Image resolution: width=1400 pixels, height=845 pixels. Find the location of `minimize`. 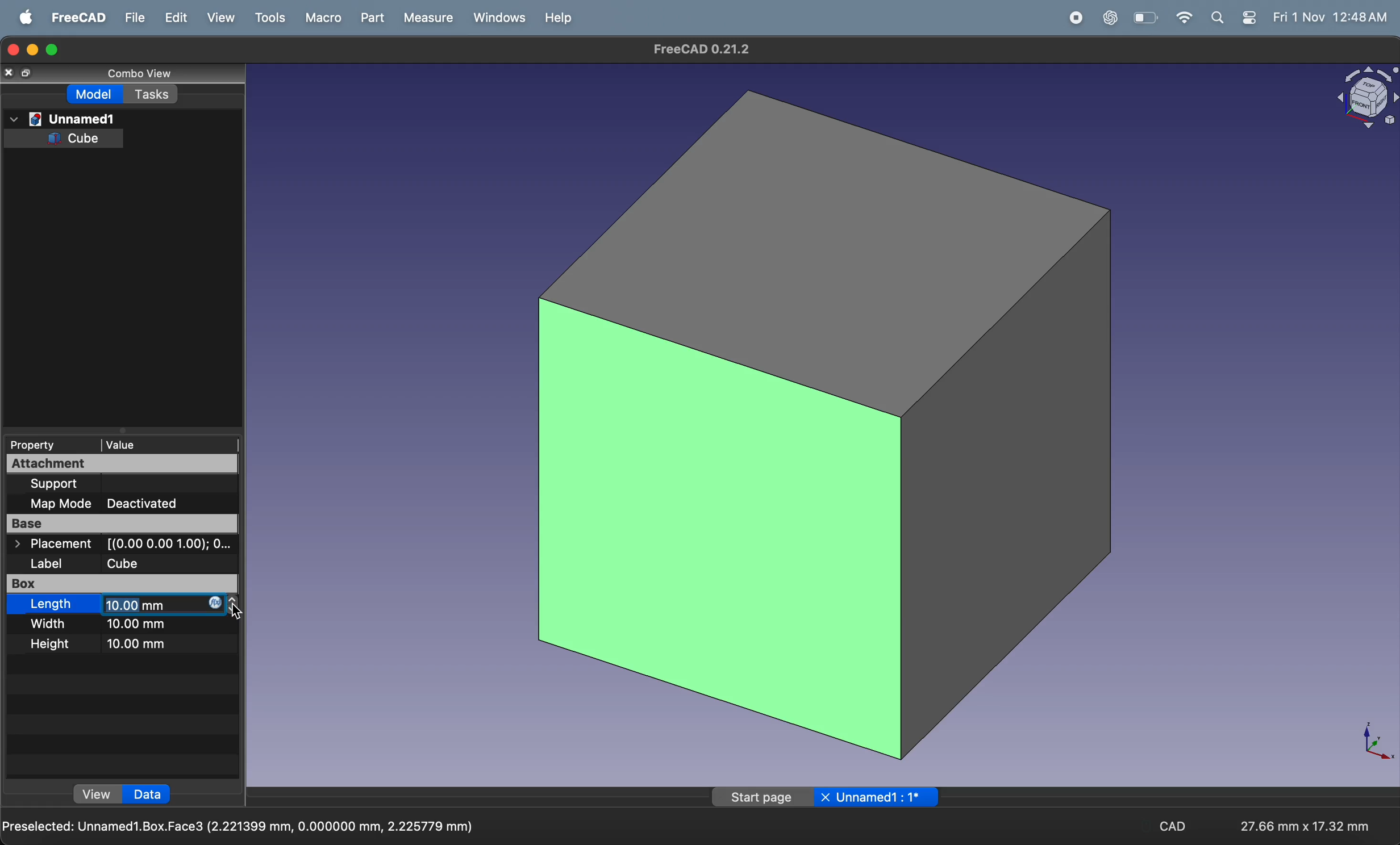

minimize is located at coordinates (35, 49).